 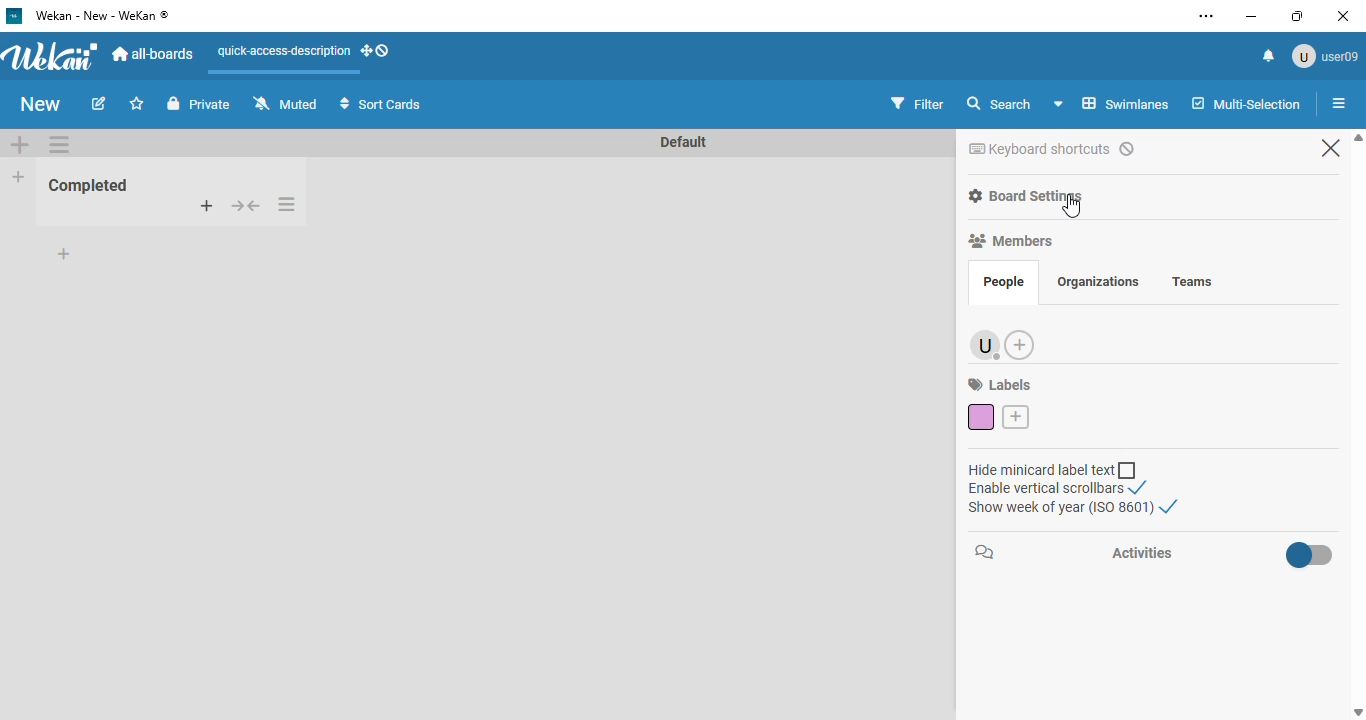 I want to click on private, so click(x=200, y=104).